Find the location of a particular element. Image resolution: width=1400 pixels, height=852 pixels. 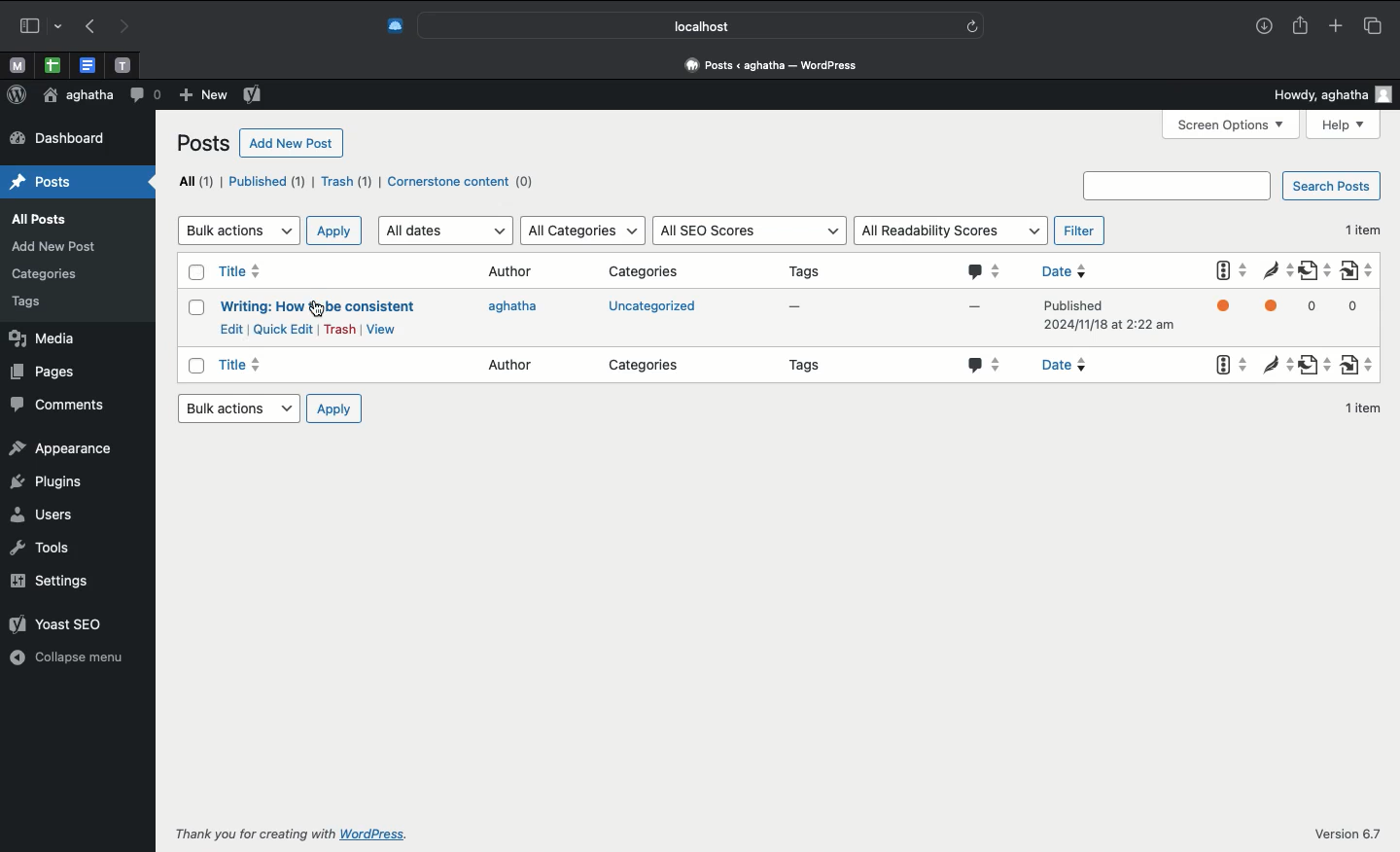

Date is located at coordinates (1078, 270).